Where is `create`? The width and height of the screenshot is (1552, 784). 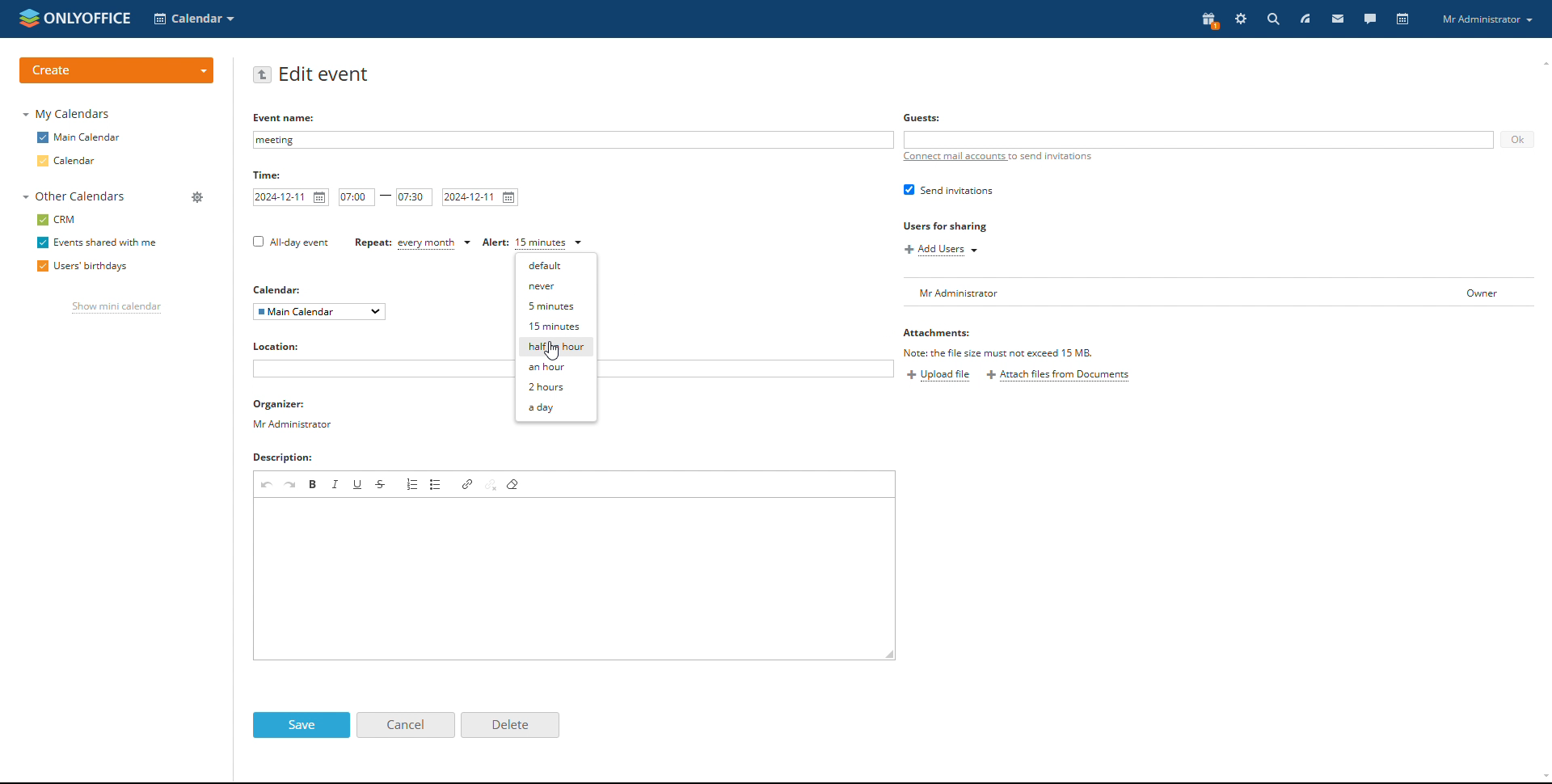
create is located at coordinates (118, 69).